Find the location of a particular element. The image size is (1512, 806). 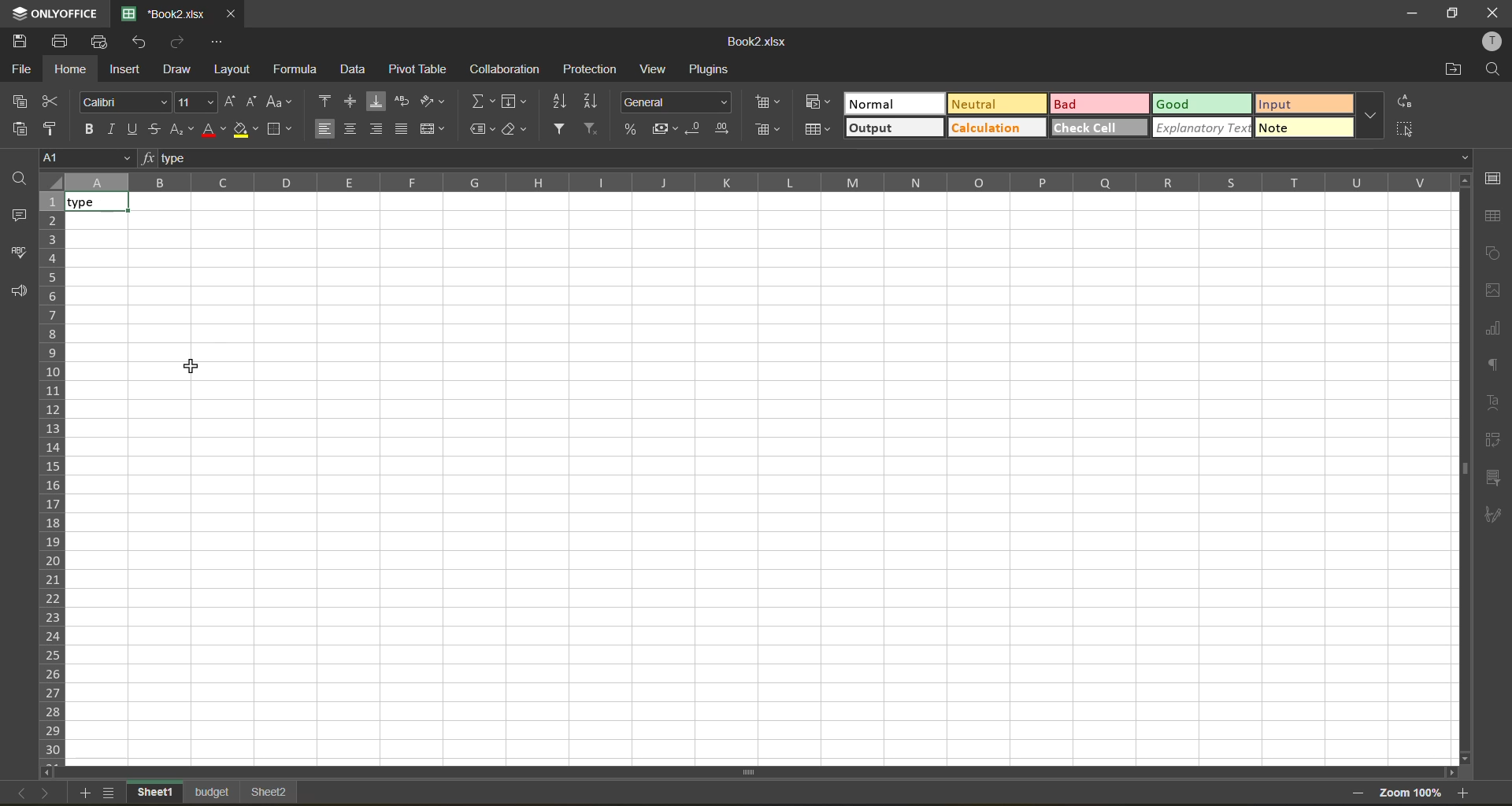

signature is located at coordinates (1497, 518).